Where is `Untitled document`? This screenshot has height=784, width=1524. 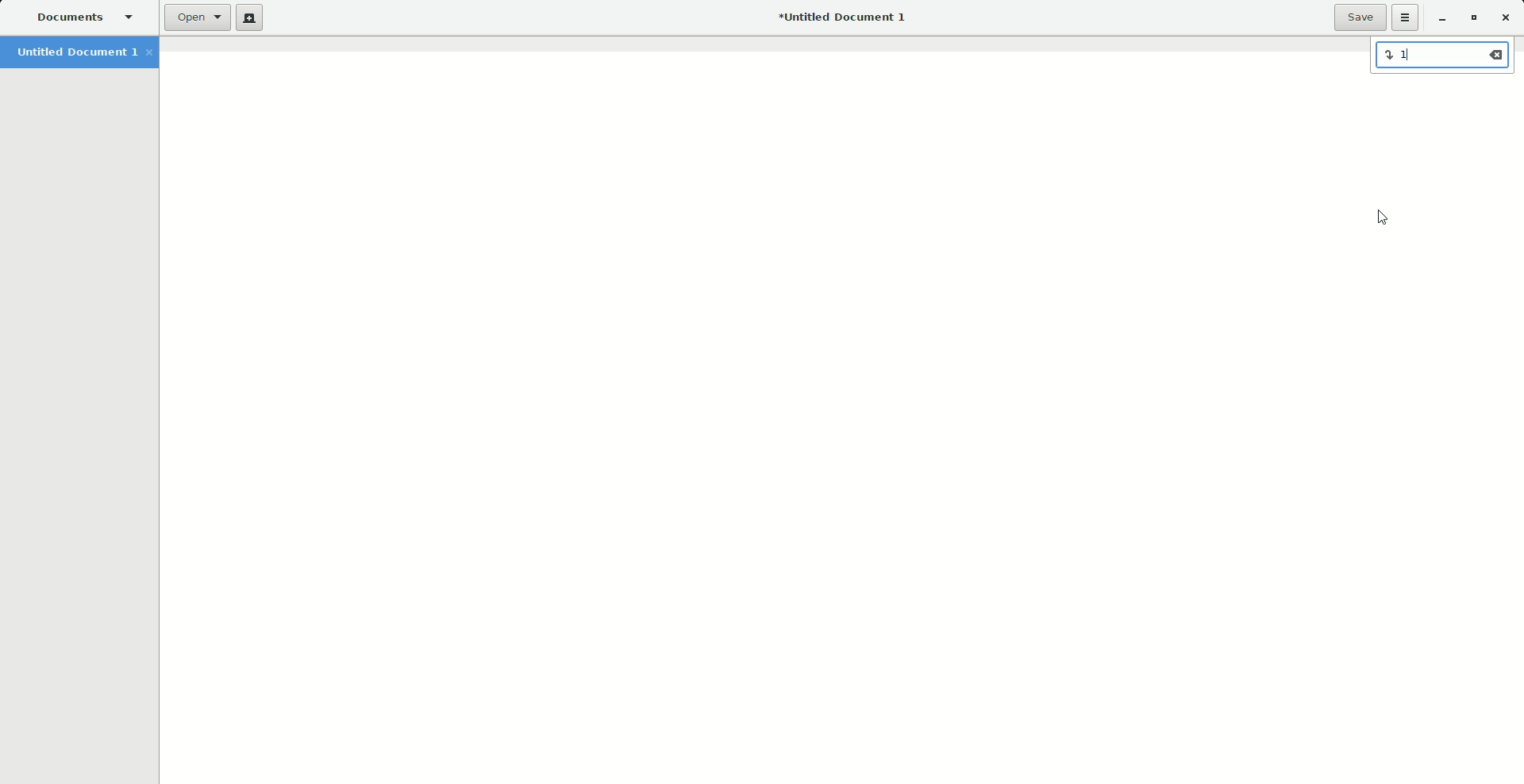 Untitled document is located at coordinates (841, 18).